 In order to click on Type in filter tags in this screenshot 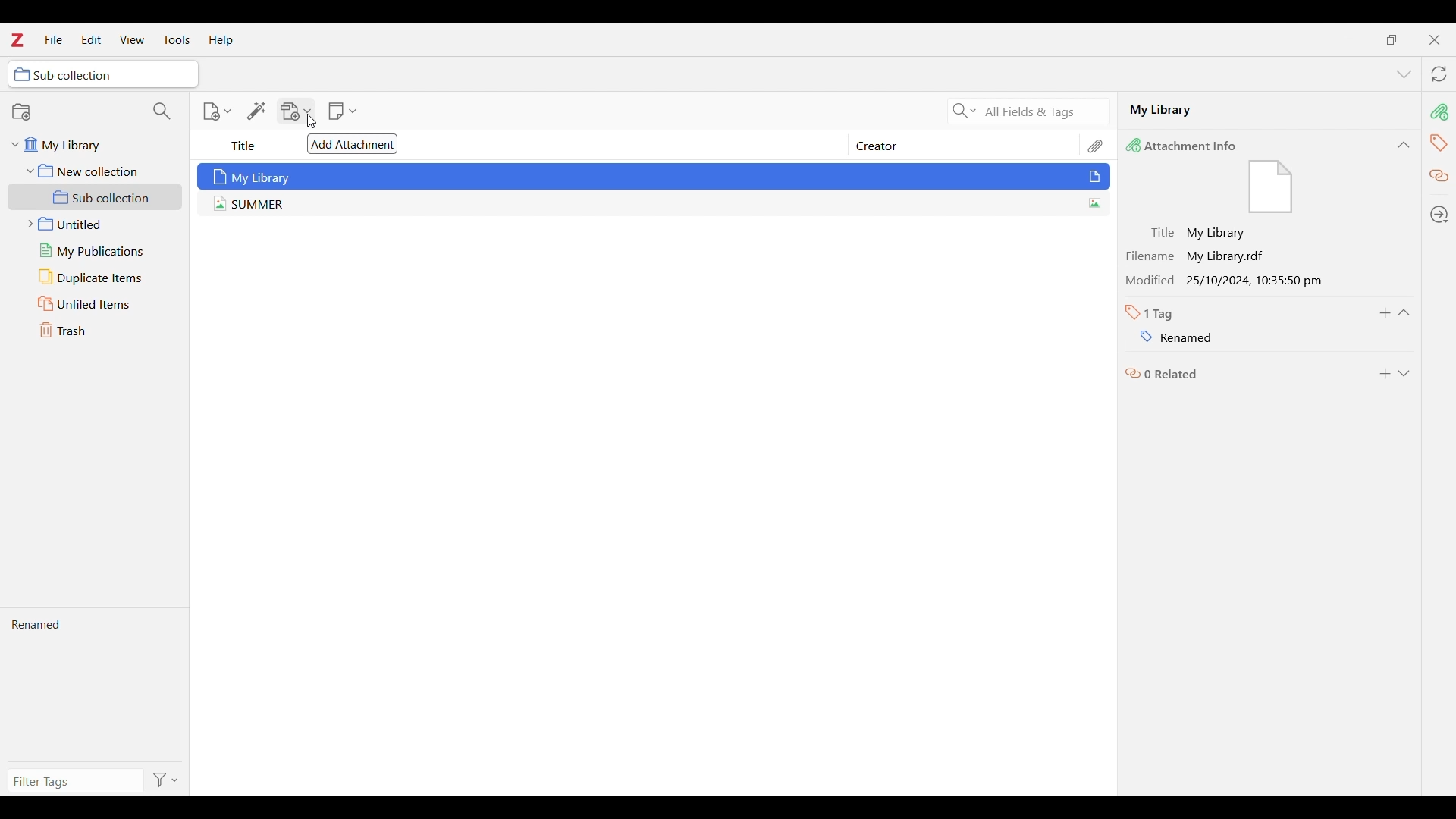, I will do `click(75, 780)`.